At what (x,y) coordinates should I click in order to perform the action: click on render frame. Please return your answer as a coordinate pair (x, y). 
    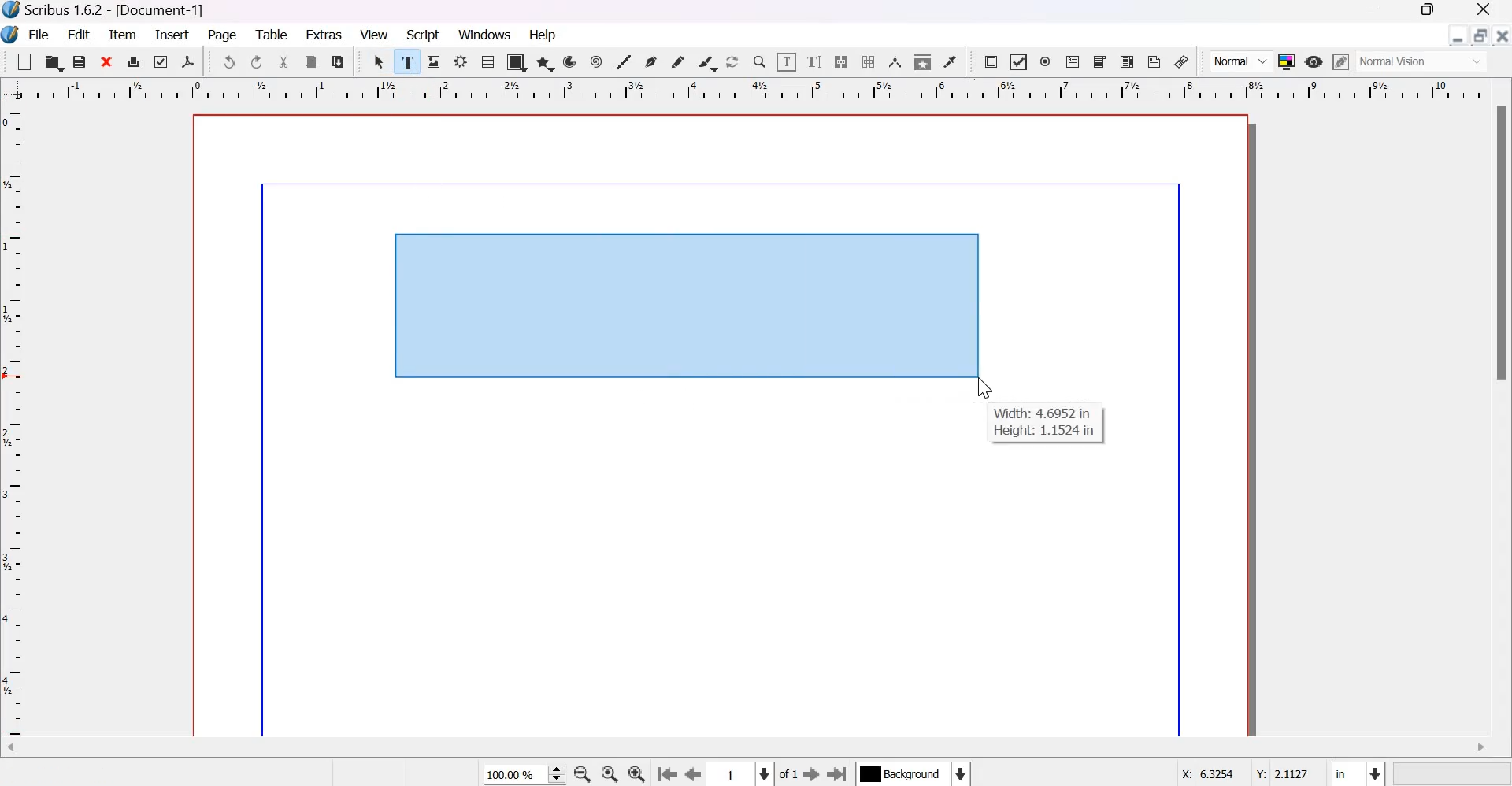
    Looking at the image, I should click on (461, 61).